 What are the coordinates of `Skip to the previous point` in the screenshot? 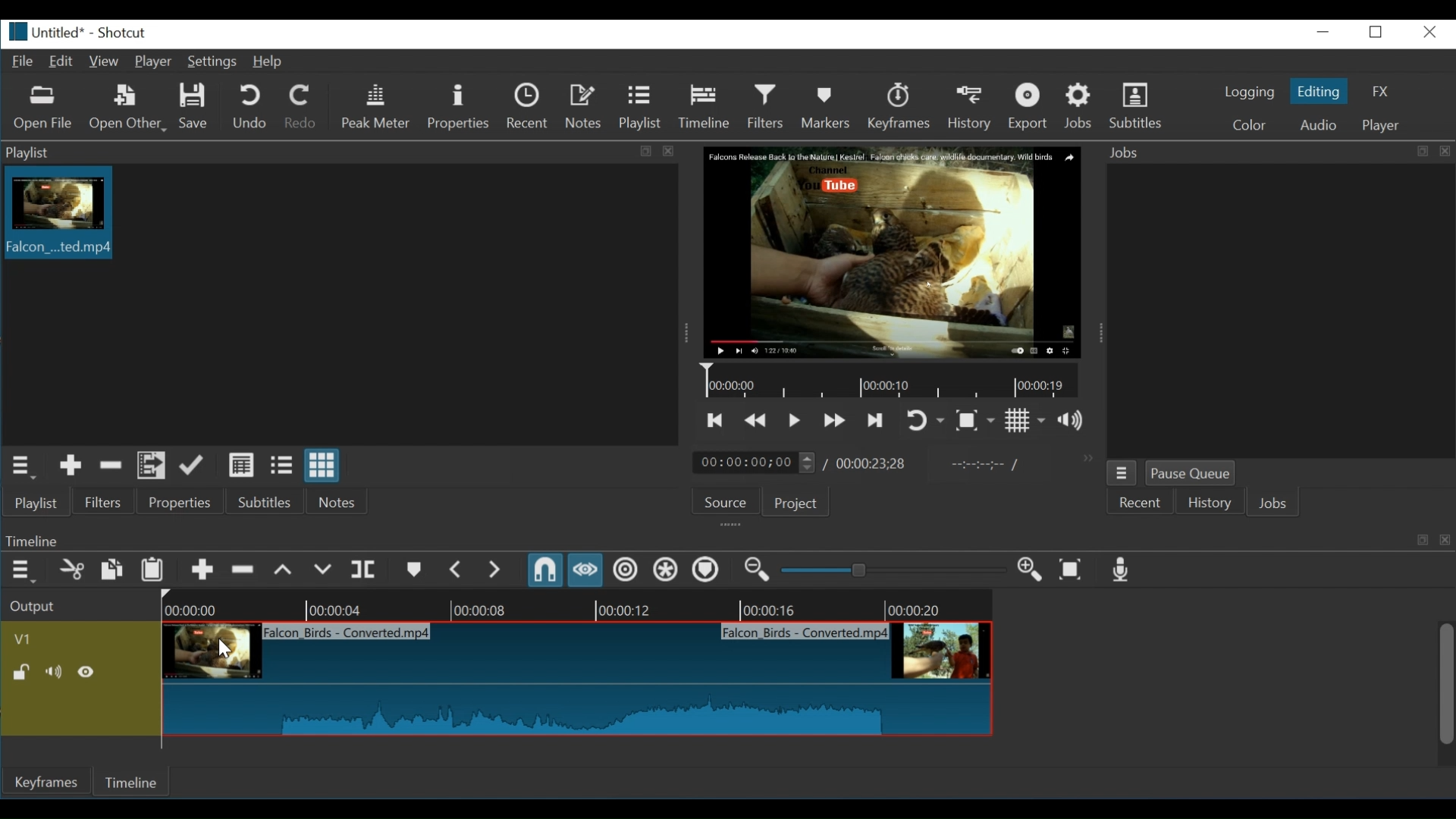 It's located at (716, 421).